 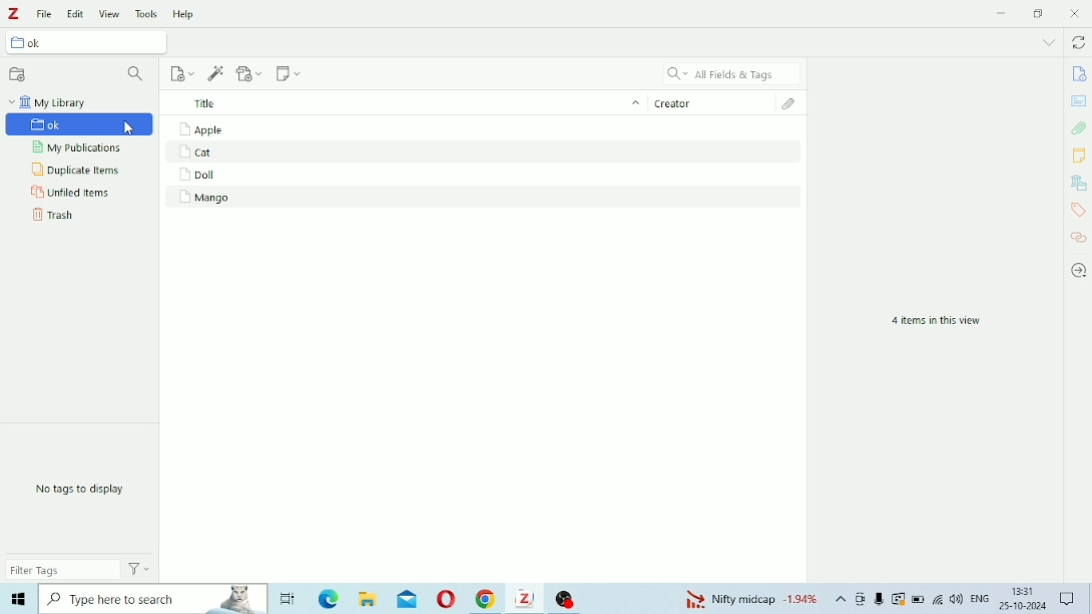 I want to click on Tools, so click(x=147, y=13).